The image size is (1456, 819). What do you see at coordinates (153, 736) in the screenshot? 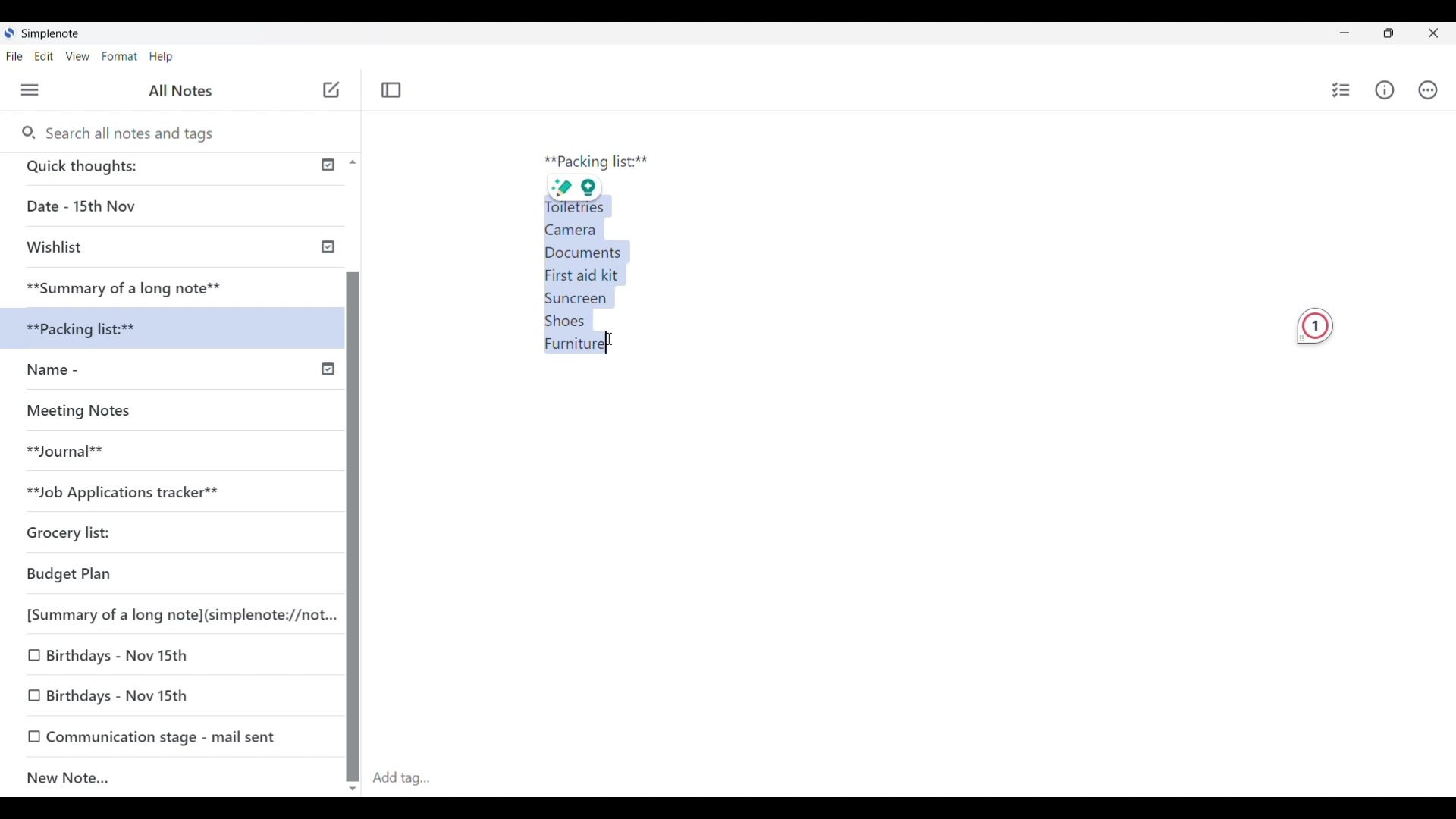
I see `0 Communication stage - mail sent` at bounding box center [153, 736].